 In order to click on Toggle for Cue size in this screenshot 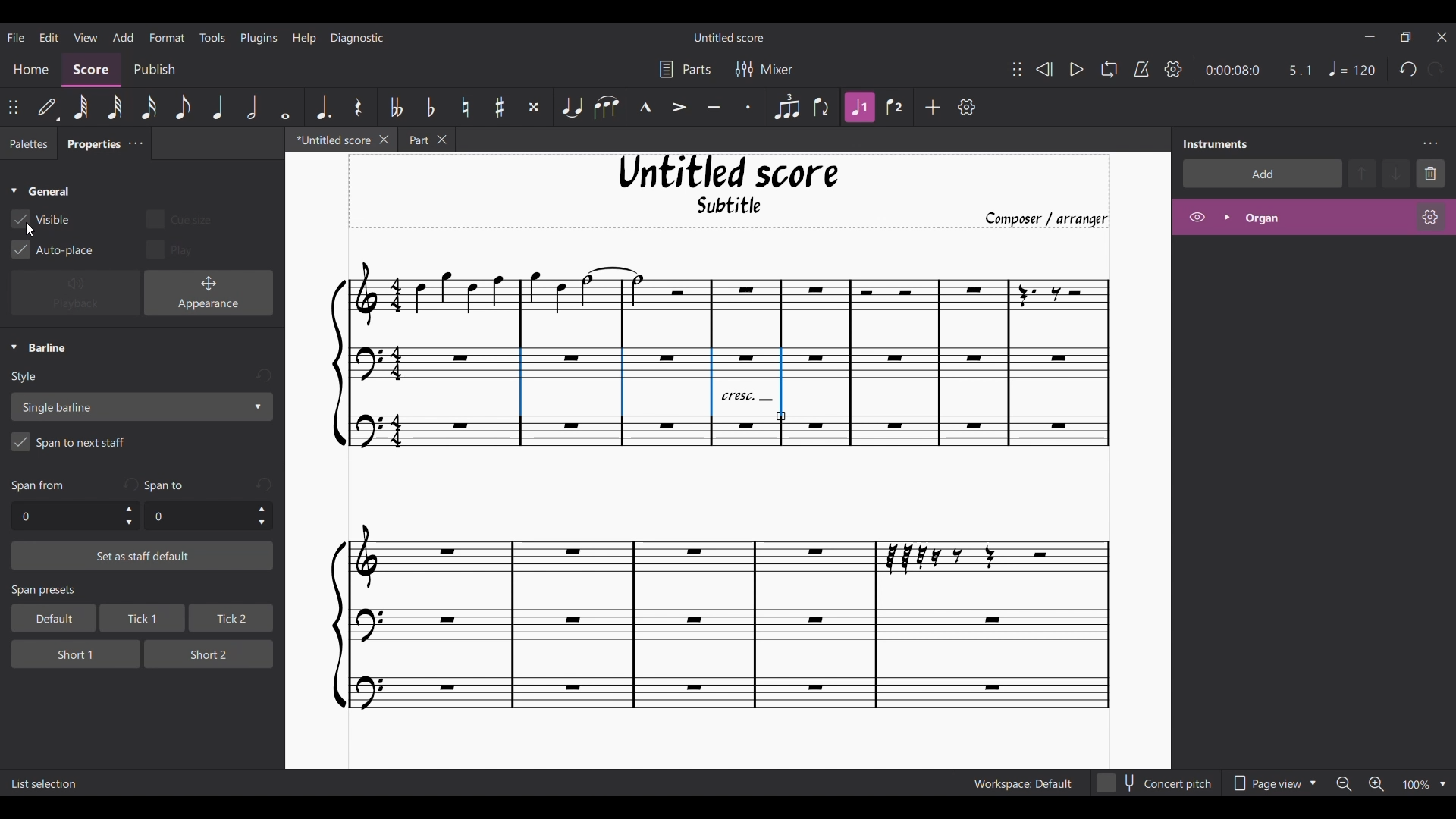, I will do `click(174, 216)`.